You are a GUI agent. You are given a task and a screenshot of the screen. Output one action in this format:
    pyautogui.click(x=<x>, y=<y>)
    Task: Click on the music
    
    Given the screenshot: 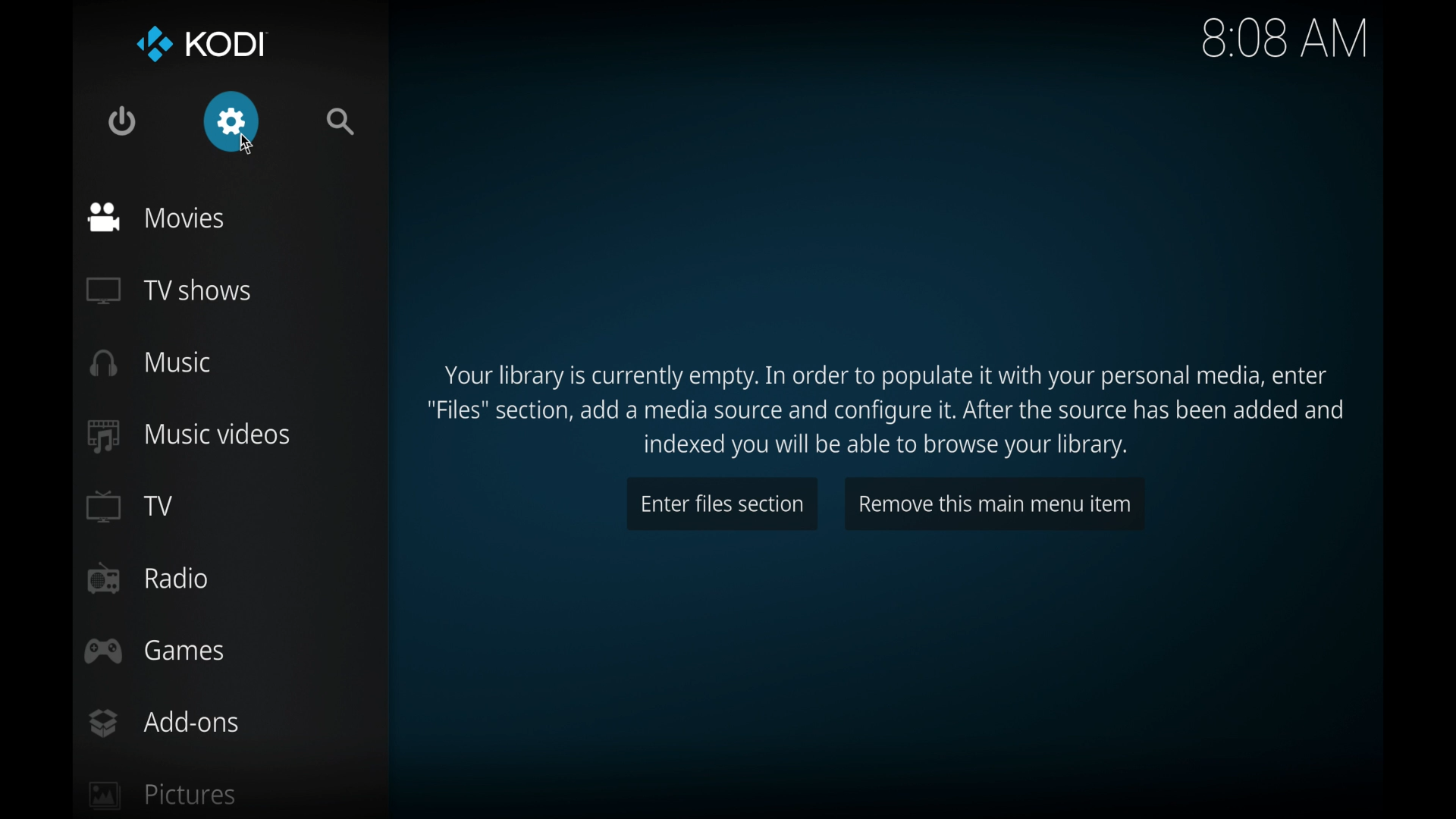 What is the action you would take?
    pyautogui.click(x=149, y=363)
    